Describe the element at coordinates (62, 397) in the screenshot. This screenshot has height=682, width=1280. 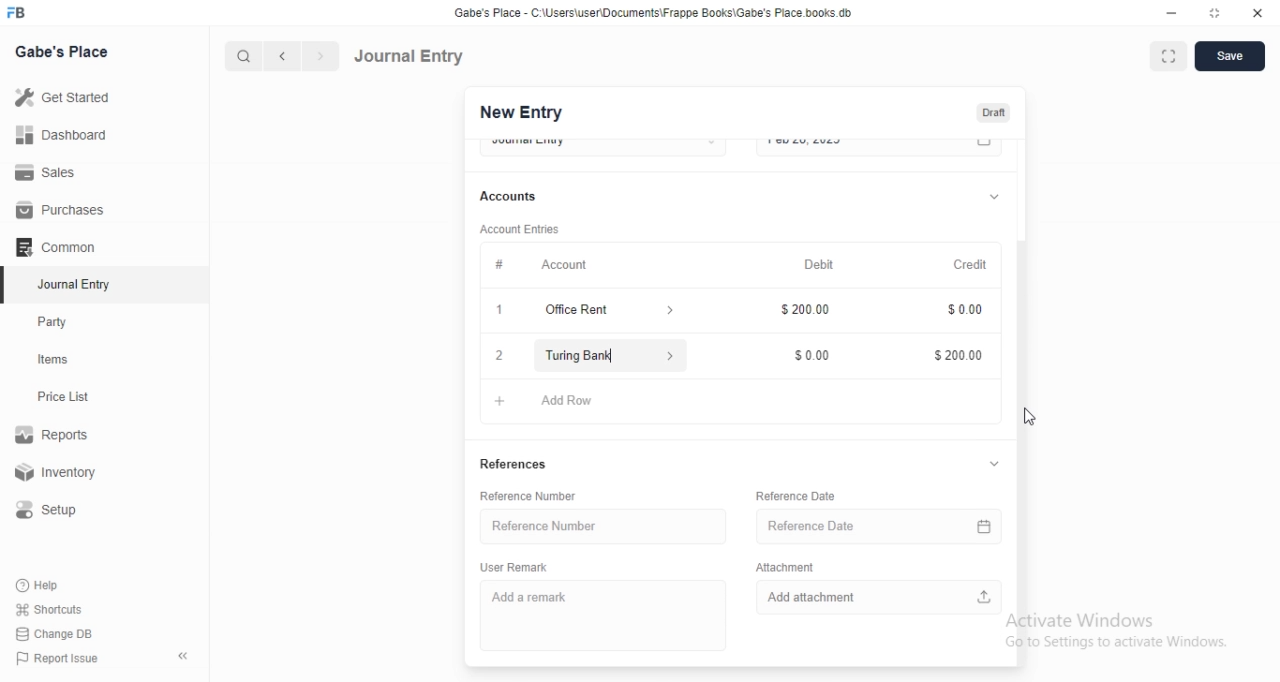
I see `Price List` at that location.